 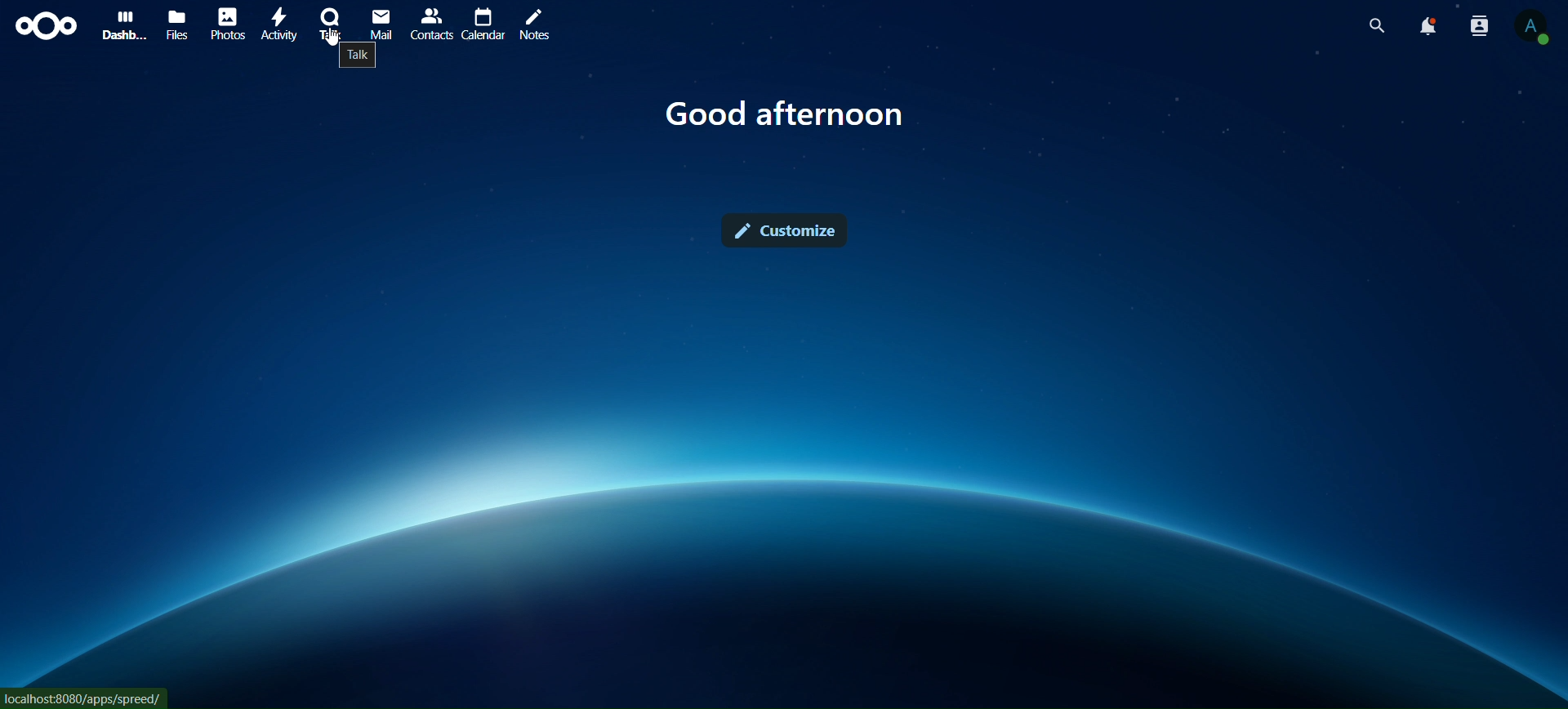 I want to click on calendar, so click(x=485, y=22).